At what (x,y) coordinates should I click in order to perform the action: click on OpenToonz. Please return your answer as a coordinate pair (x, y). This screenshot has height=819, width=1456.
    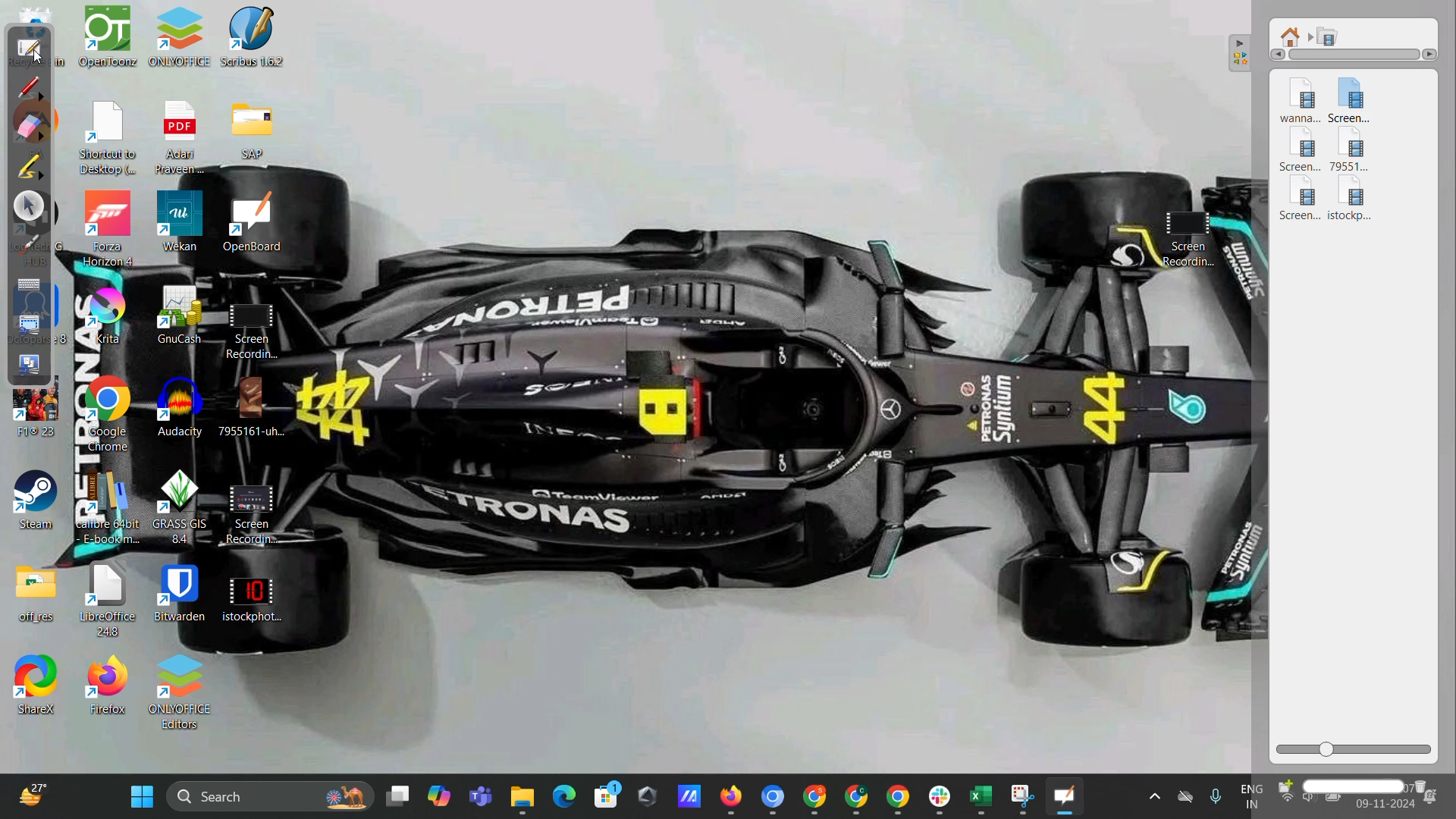
    Looking at the image, I should click on (108, 48).